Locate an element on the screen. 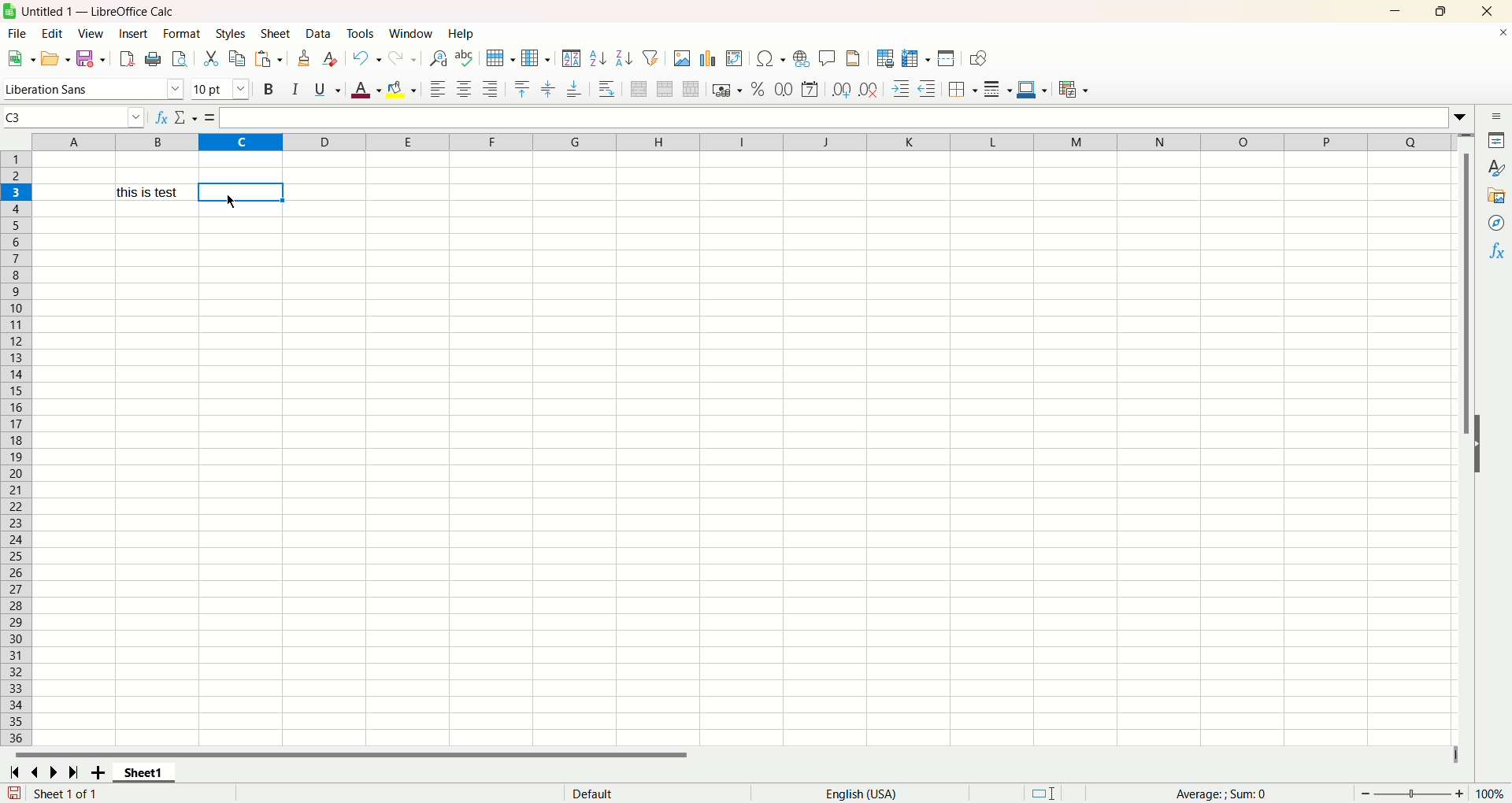  function wizard is located at coordinates (161, 117).